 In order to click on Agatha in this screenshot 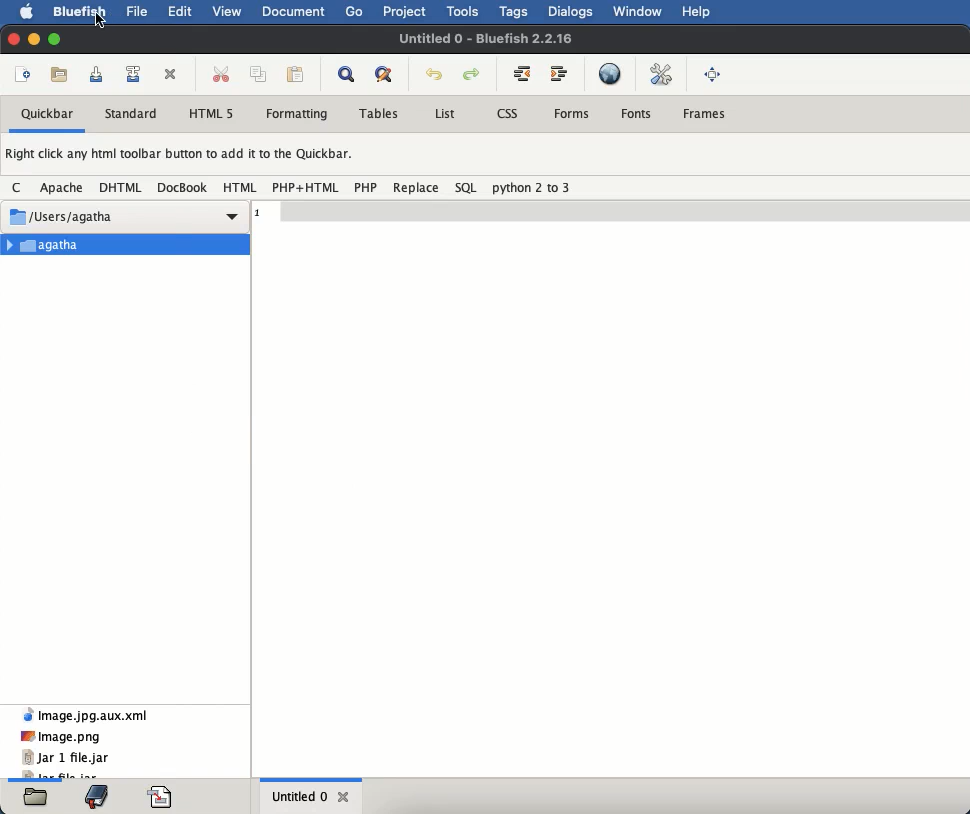, I will do `click(127, 244)`.